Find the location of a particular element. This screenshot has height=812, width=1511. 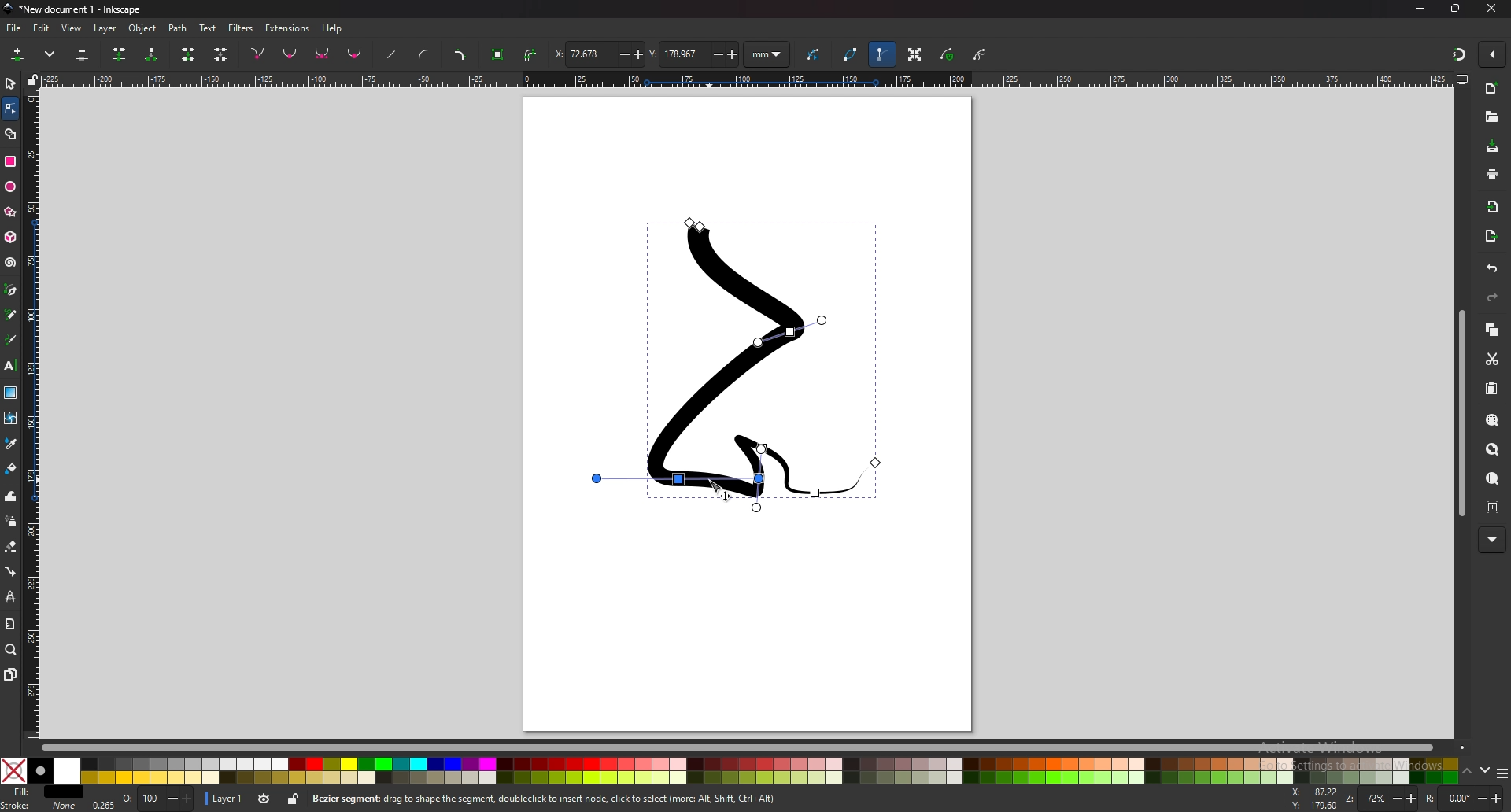

units is located at coordinates (768, 55).